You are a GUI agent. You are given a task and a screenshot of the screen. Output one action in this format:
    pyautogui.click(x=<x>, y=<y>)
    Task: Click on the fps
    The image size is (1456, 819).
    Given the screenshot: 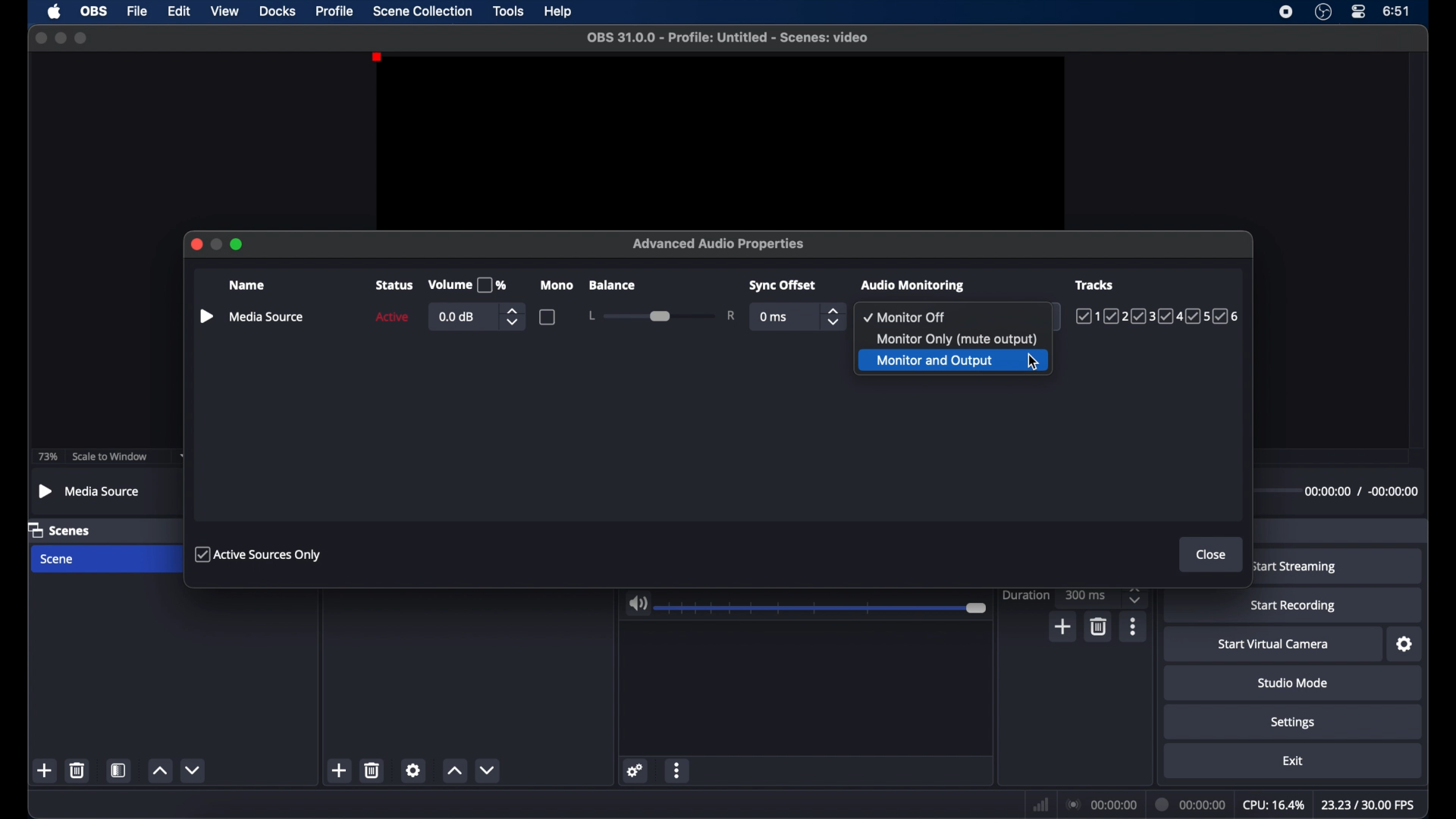 What is the action you would take?
    pyautogui.click(x=1369, y=805)
    